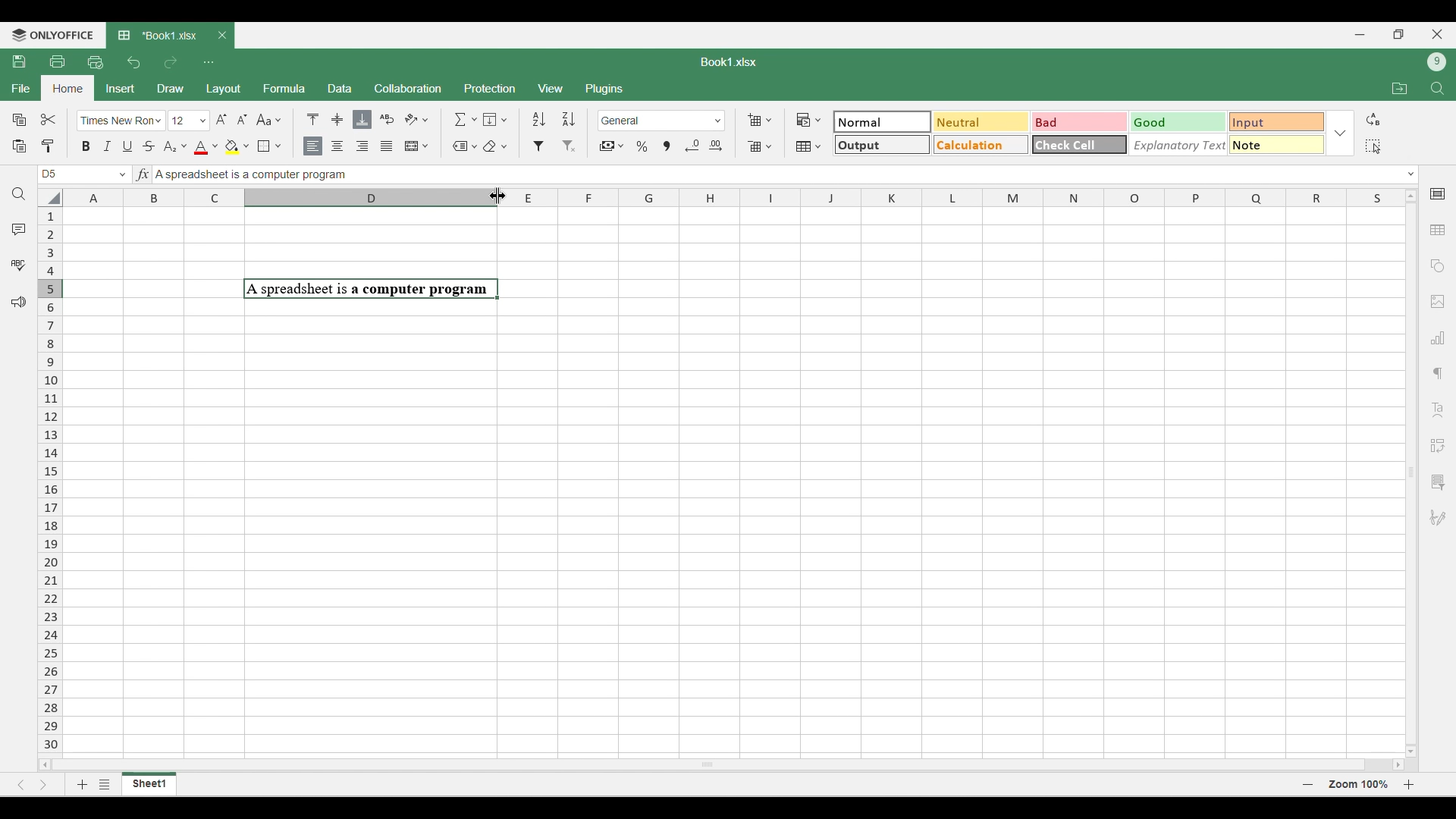 The height and width of the screenshot is (819, 1456). Describe the element at coordinates (409, 88) in the screenshot. I see `Collaboration menu` at that location.